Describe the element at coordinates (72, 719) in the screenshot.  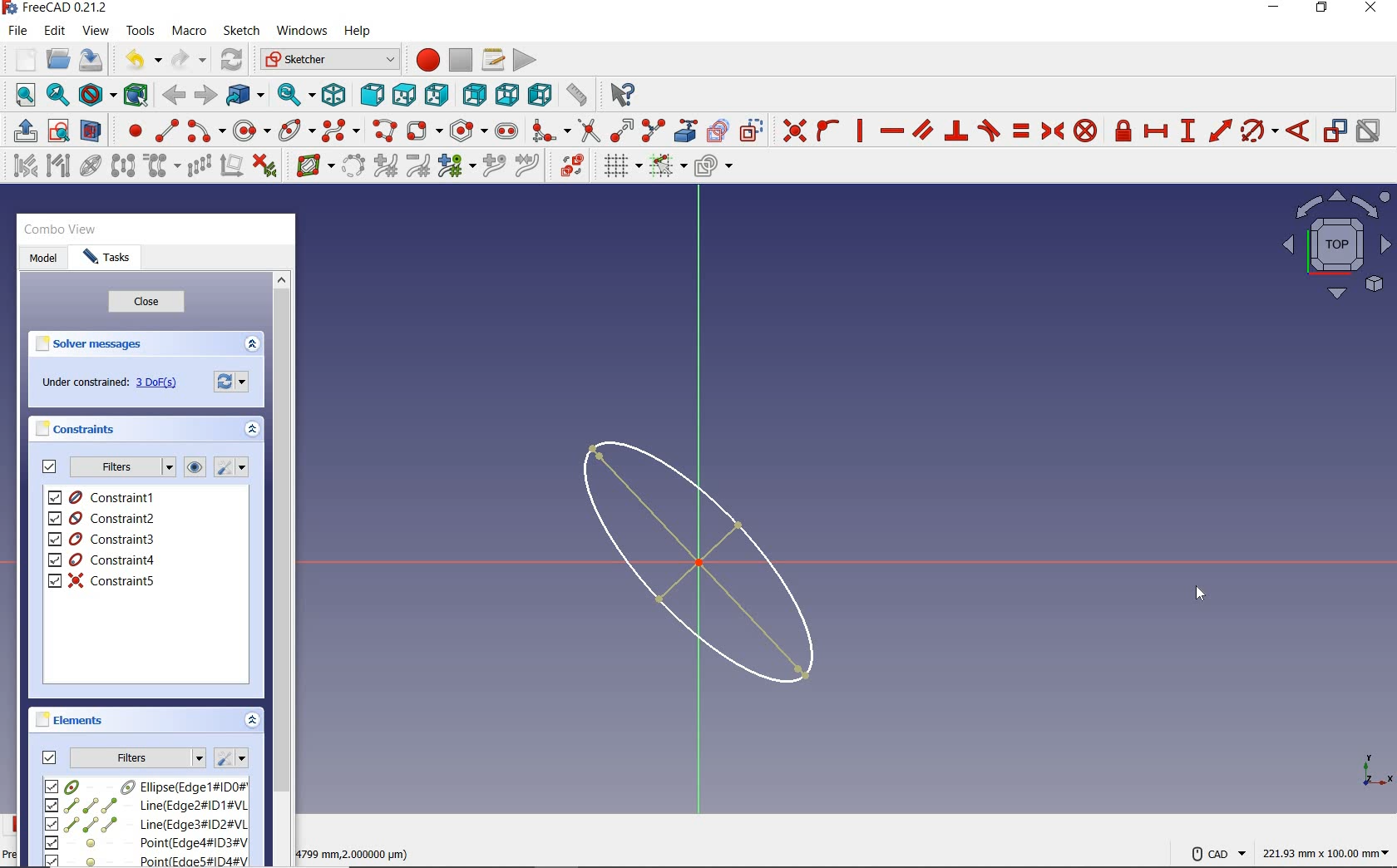
I see `elements` at that location.